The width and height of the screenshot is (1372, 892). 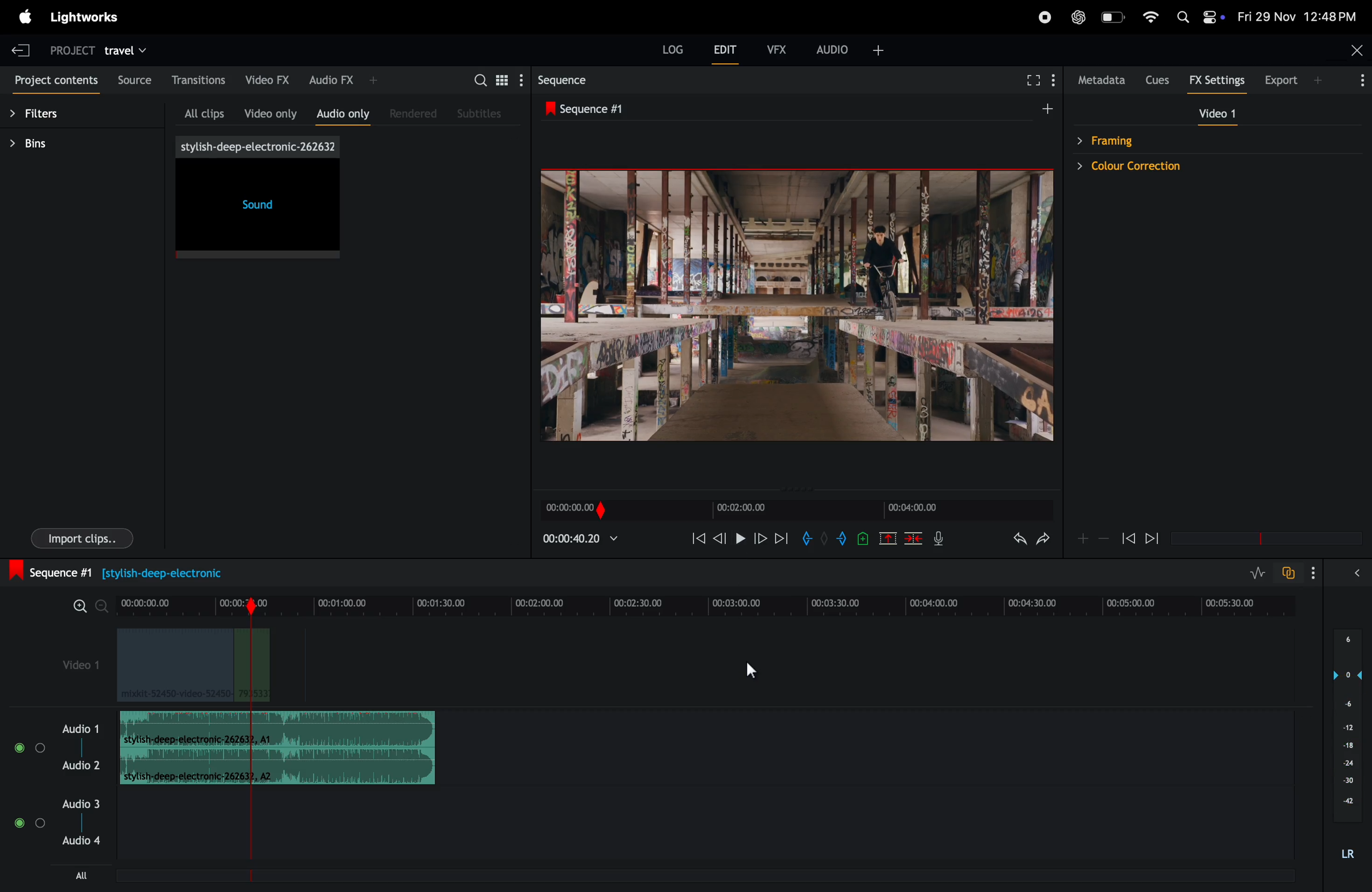 What do you see at coordinates (344, 112) in the screenshot?
I see `audio only` at bounding box center [344, 112].